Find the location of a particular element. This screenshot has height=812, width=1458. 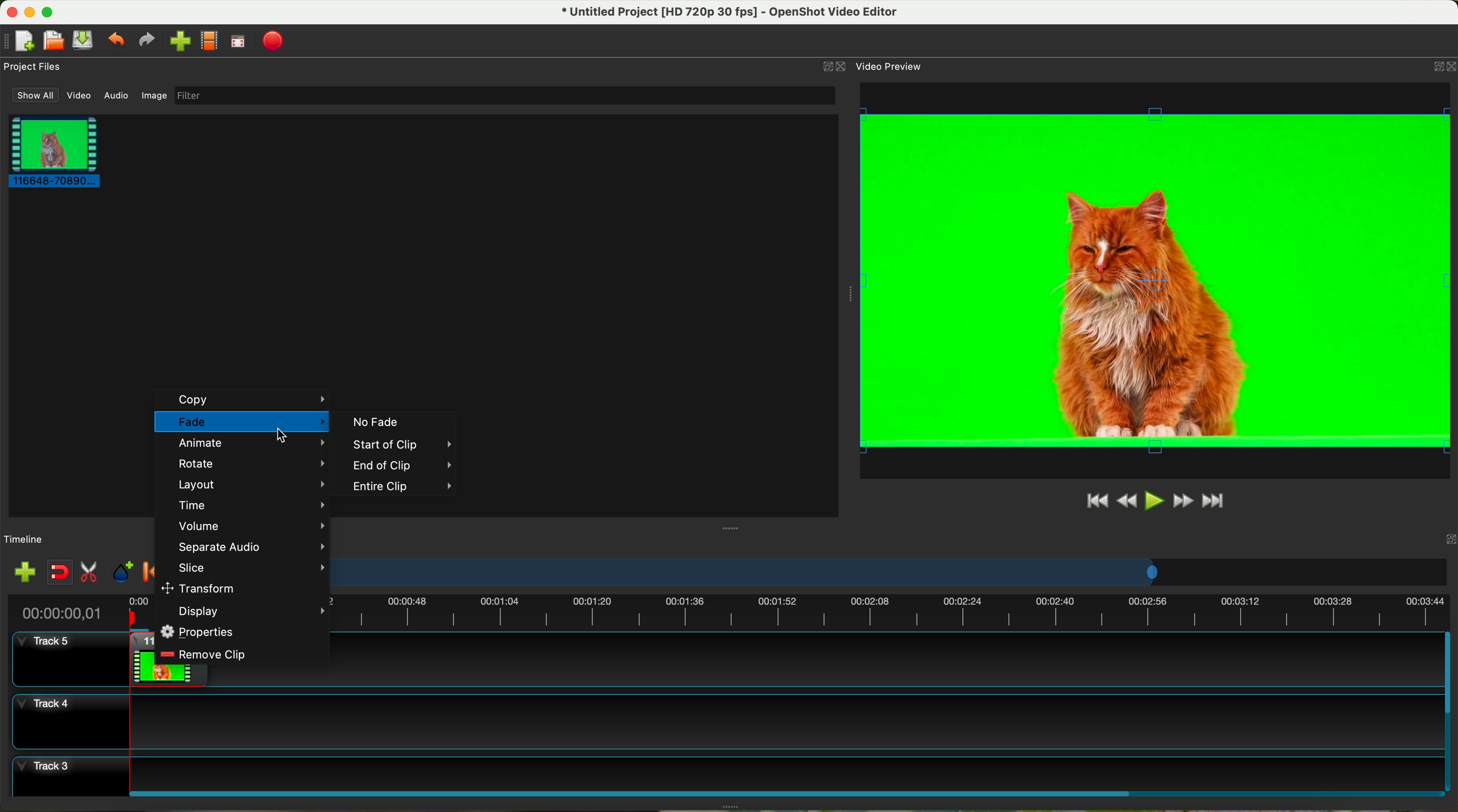

display is located at coordinates (252, 612).